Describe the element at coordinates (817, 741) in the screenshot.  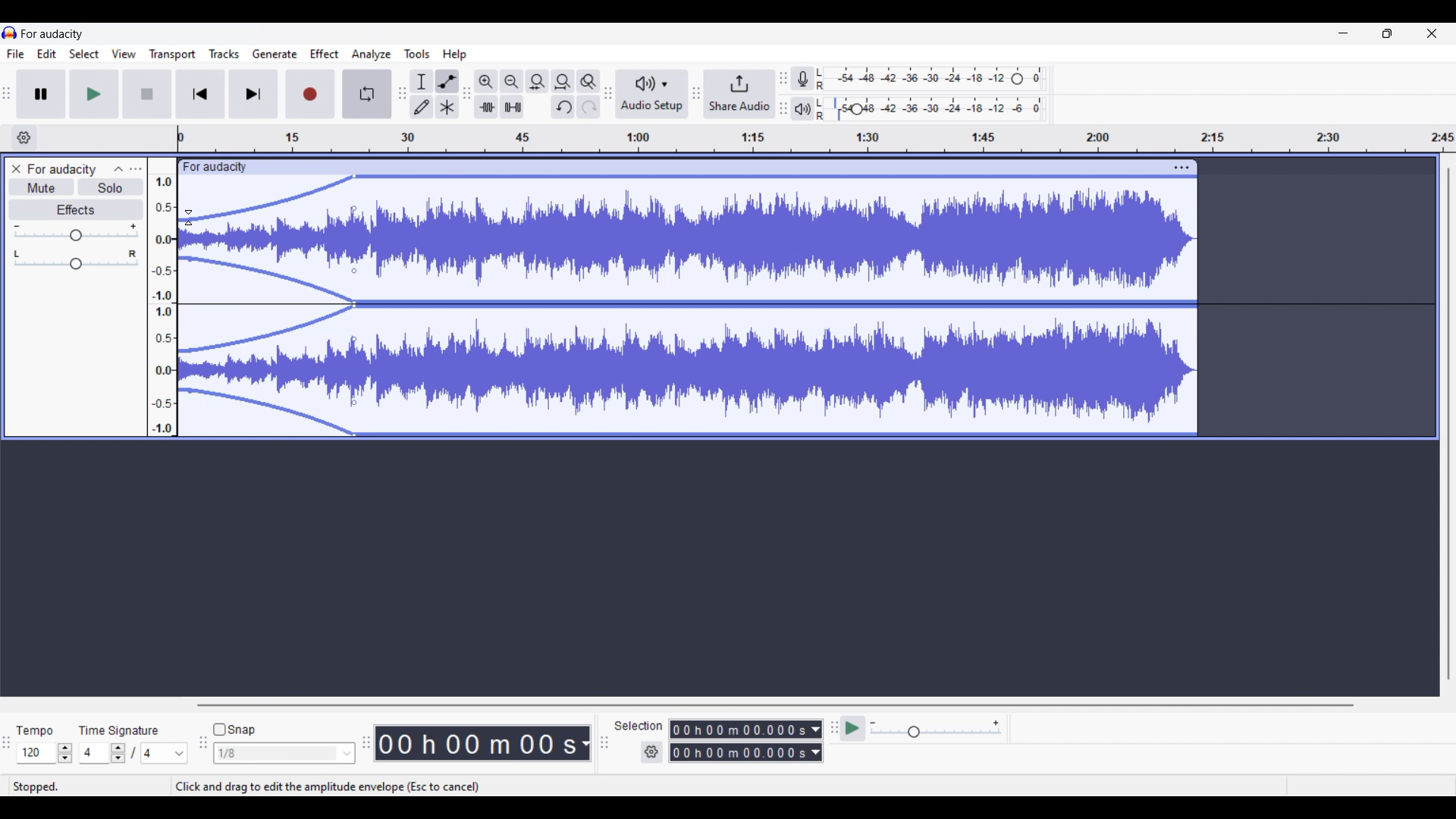
I see `Duration measurement` at that location.